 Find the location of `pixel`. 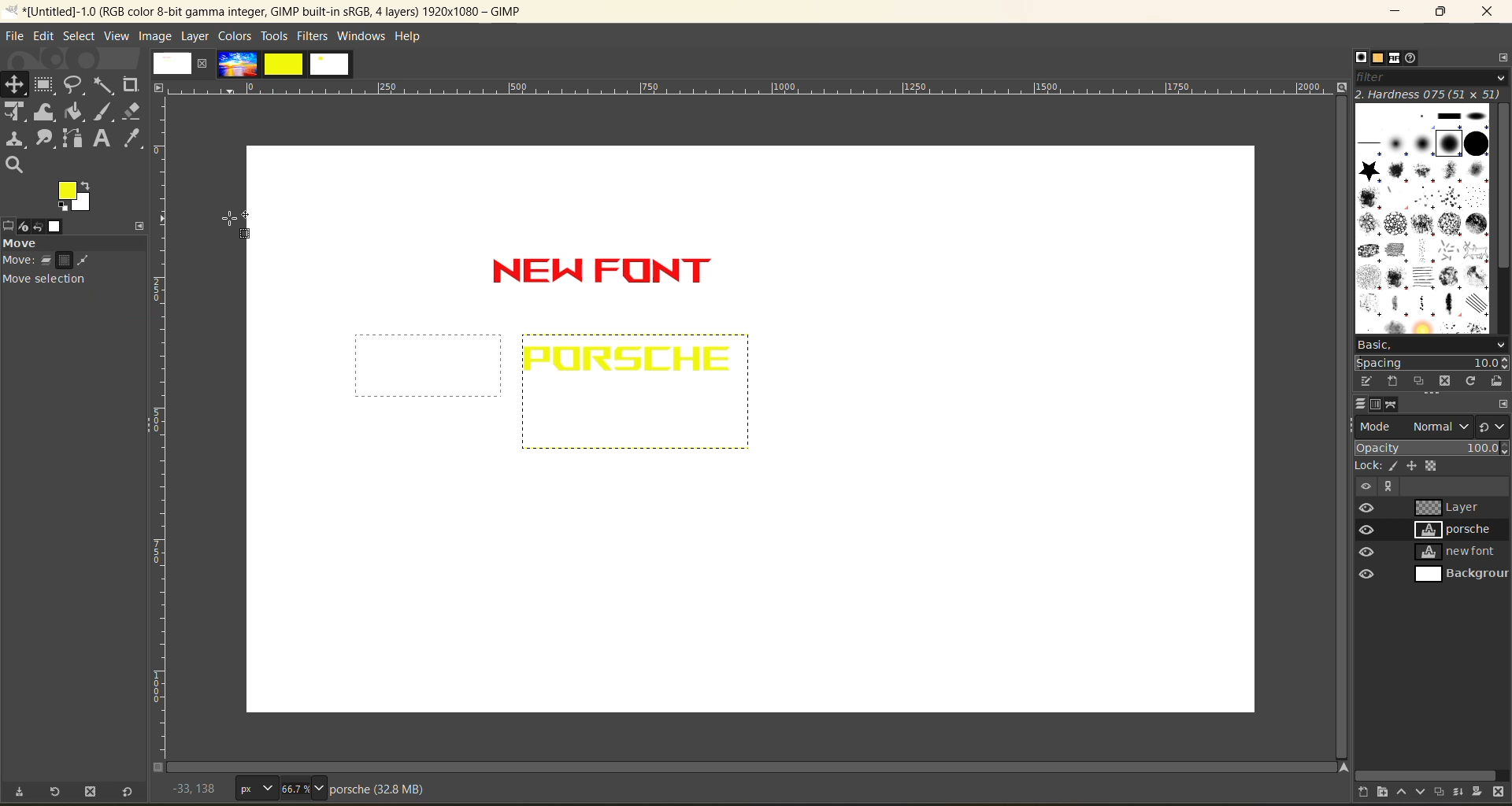

pixel is located at coordinates (1393, 467).